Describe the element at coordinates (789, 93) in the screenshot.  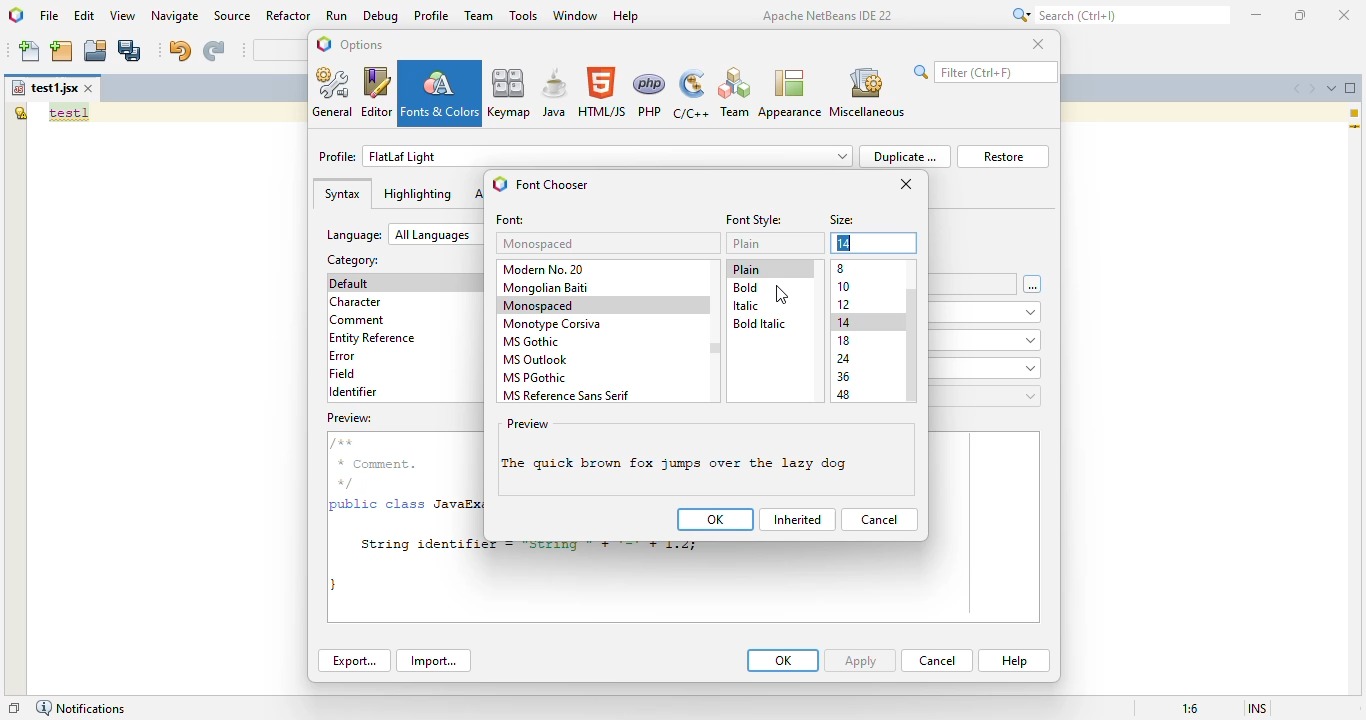
I see `appearance` at that location.